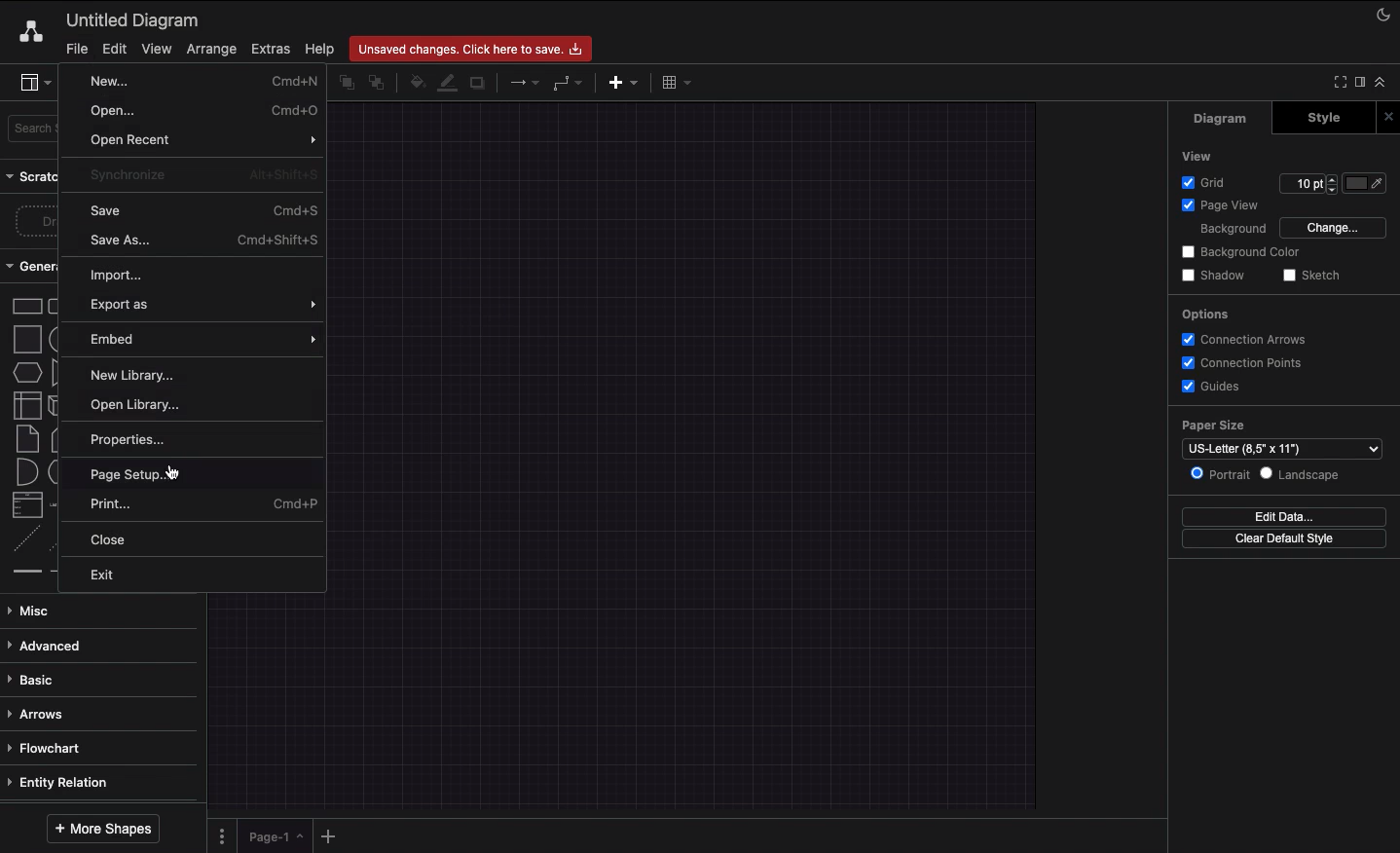 Image resolution: width=1400 pixels, height=853 pixels. Describe the element at coordinates (1283, 539) in the screenshot. I see `Clear default style` at that location.